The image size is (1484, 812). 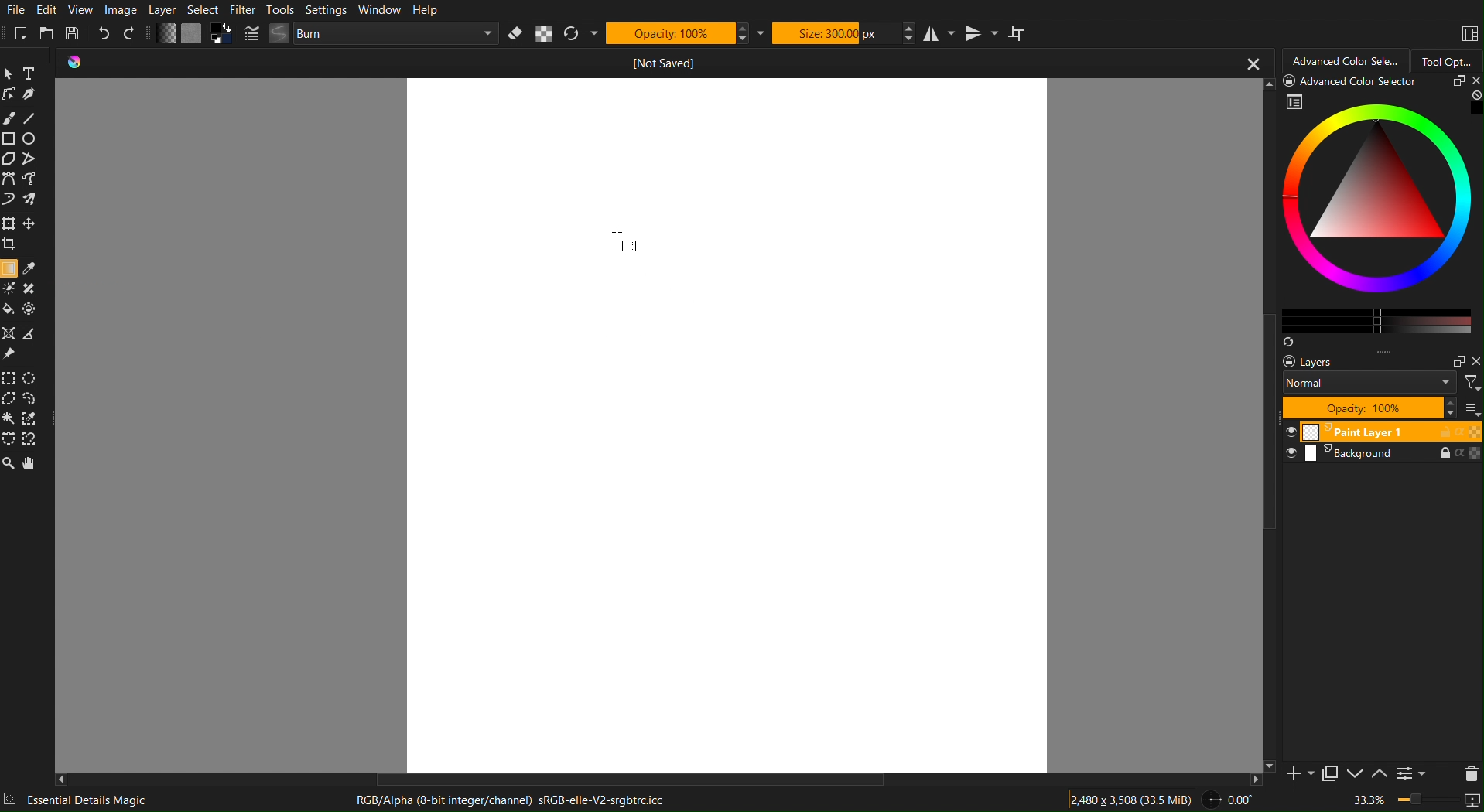 What do you see at coordinates (1410, 775) in the screenshot?
I see `Settings` at bounding box center [1410, 775].